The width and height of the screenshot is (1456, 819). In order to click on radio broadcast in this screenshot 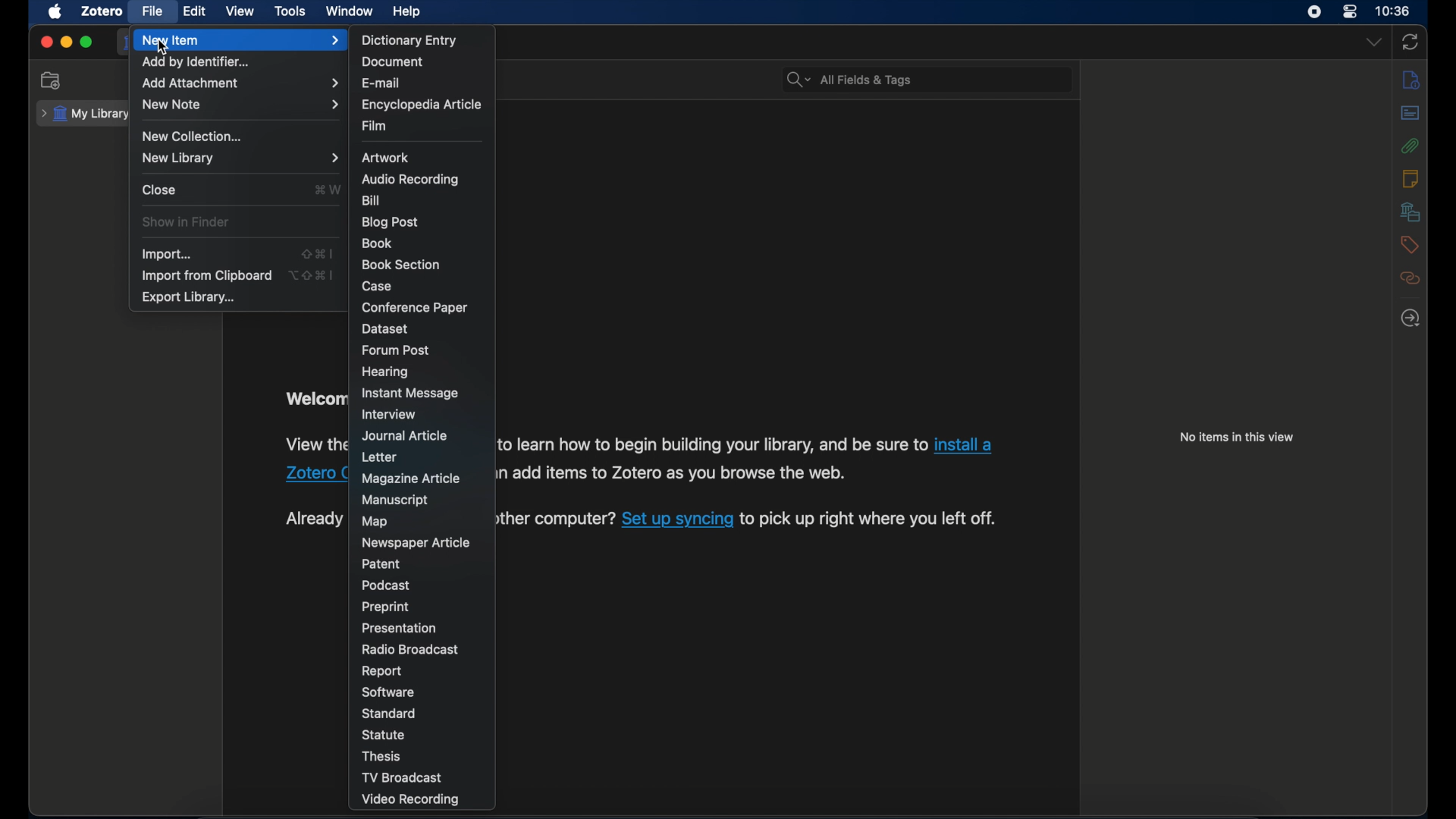, I will do `click(409, 649)`.